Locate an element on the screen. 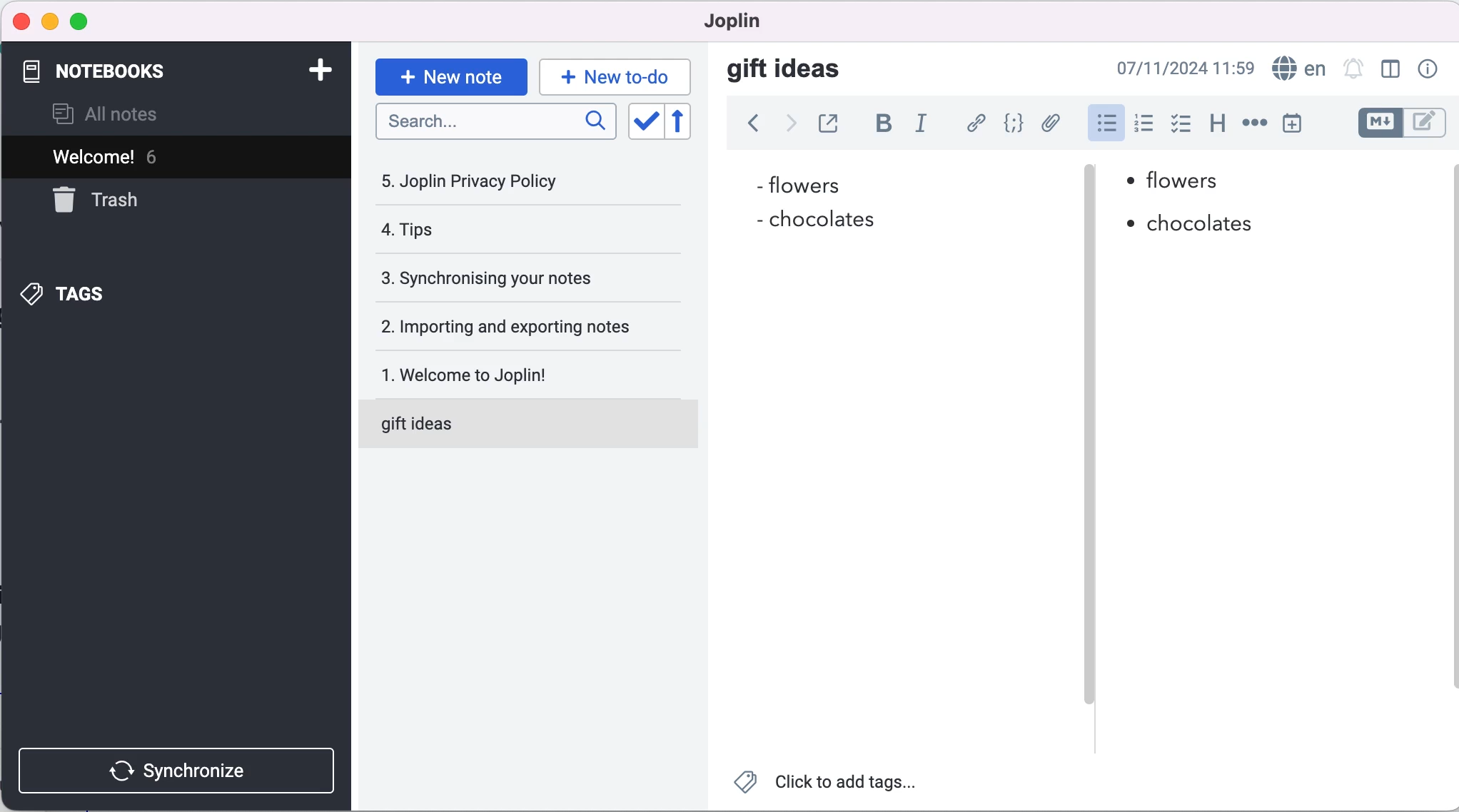 Image resolution: width=1459 pixels, height=812 pixels. heading is located at coordinates (1216, 123).